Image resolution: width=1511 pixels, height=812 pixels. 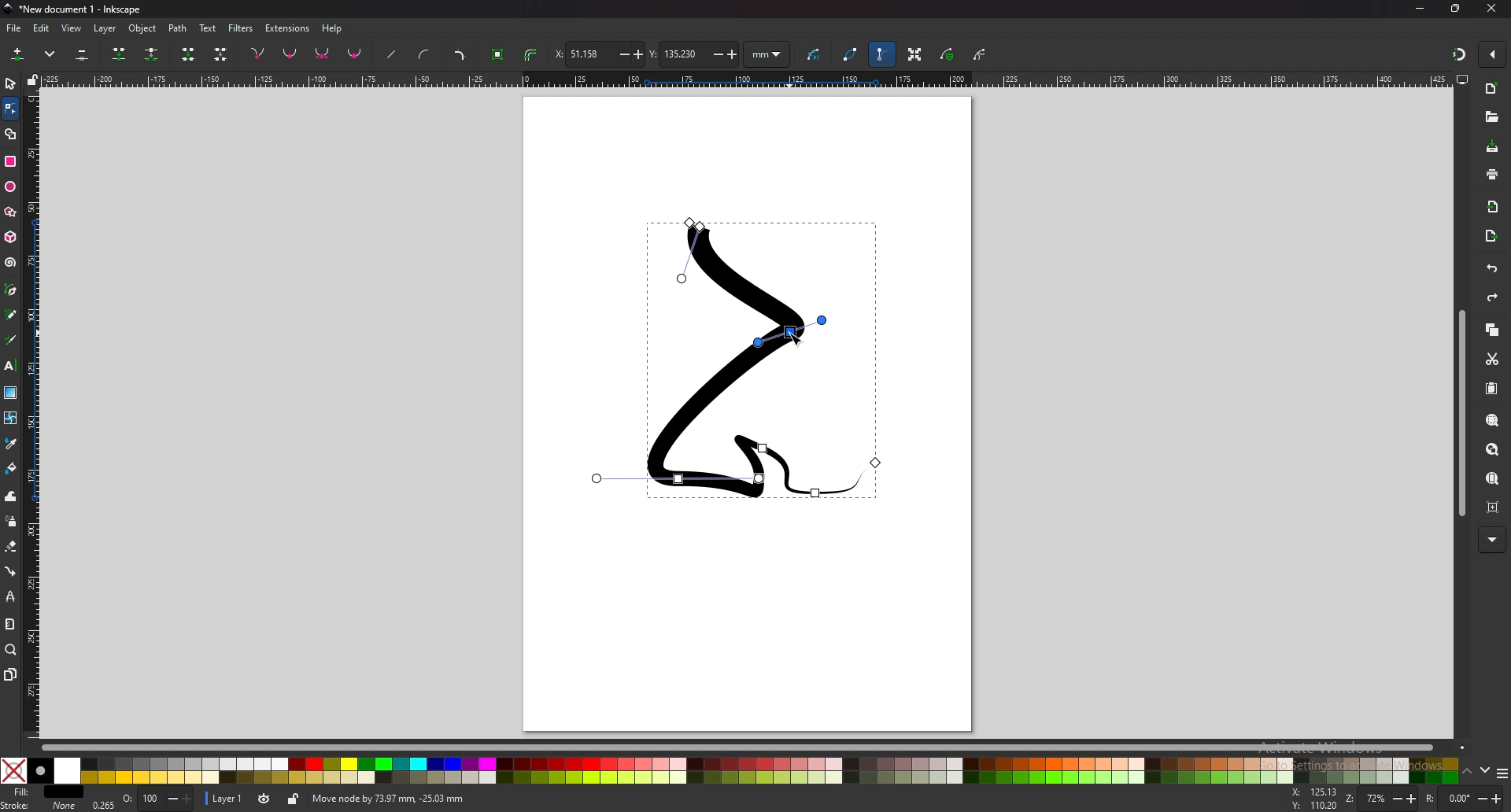 I want to click on x coordinates, so click(x=597, y=54).